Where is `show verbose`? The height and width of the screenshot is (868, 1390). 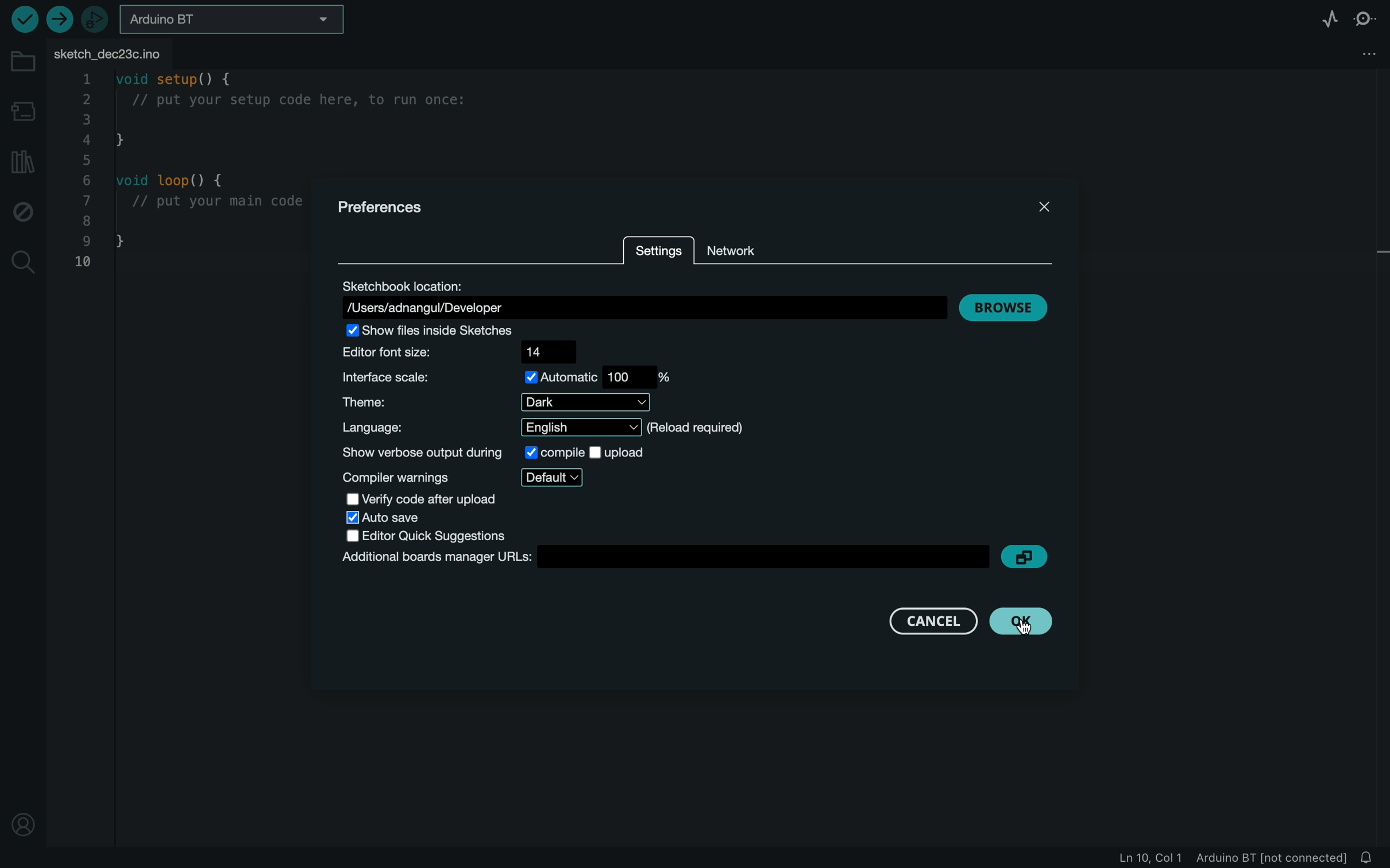 show verbose is located at coordinates (495, 452).